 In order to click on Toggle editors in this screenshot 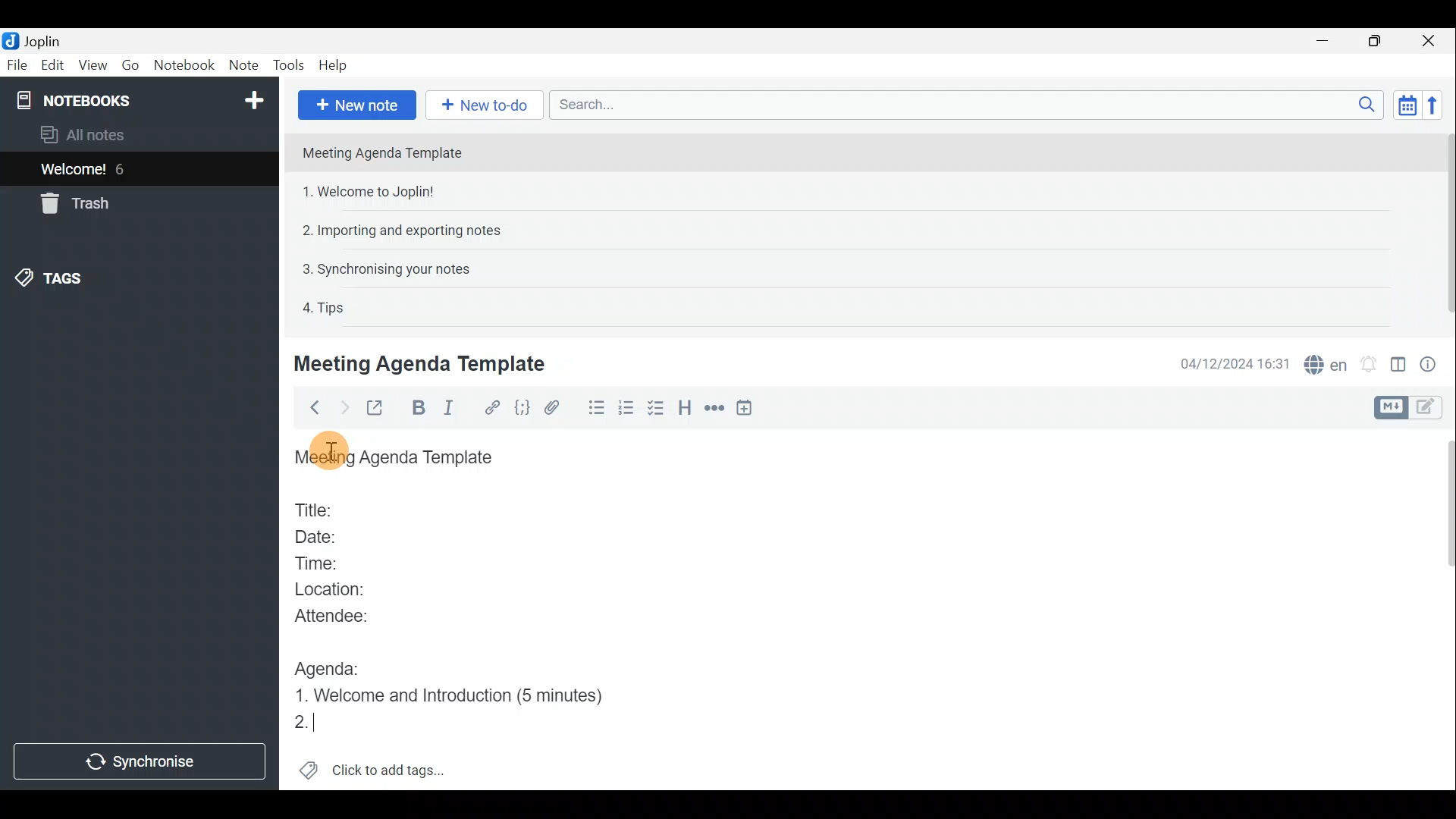, I will do `click(1389, 408)`.